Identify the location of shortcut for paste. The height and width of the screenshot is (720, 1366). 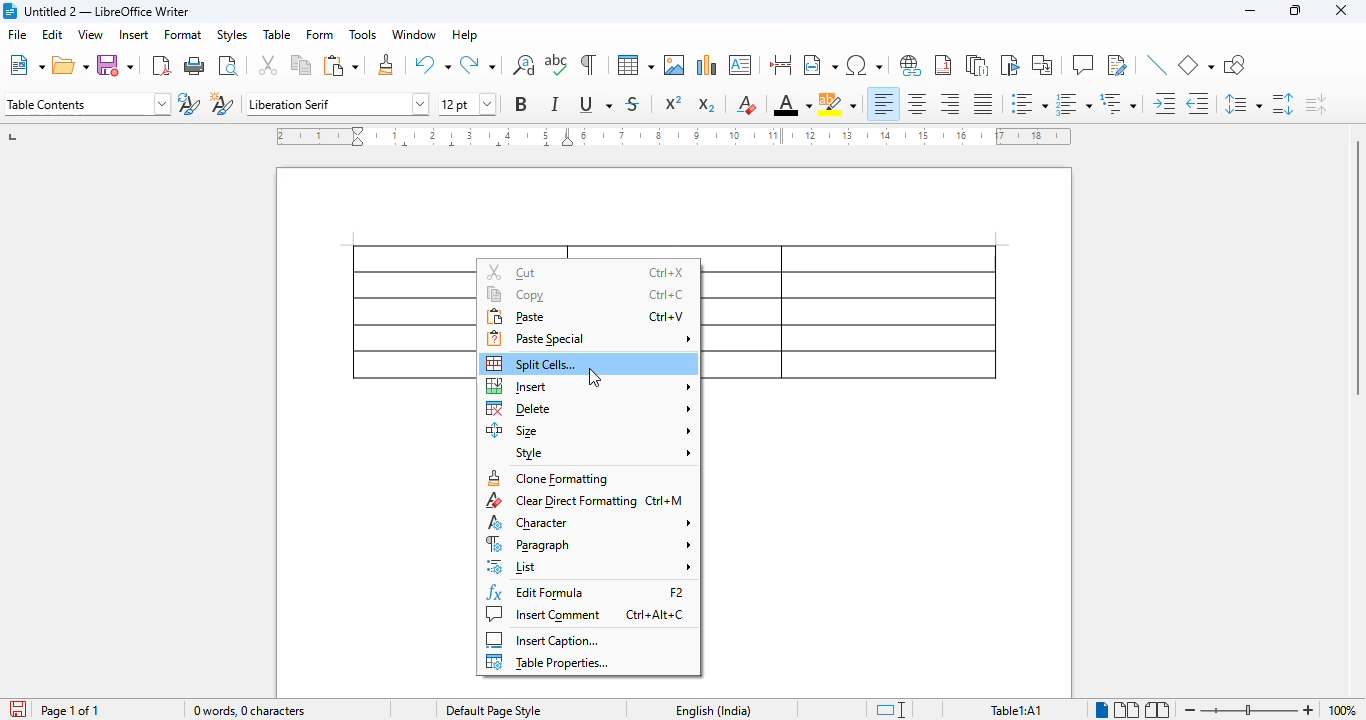
(667, 316).